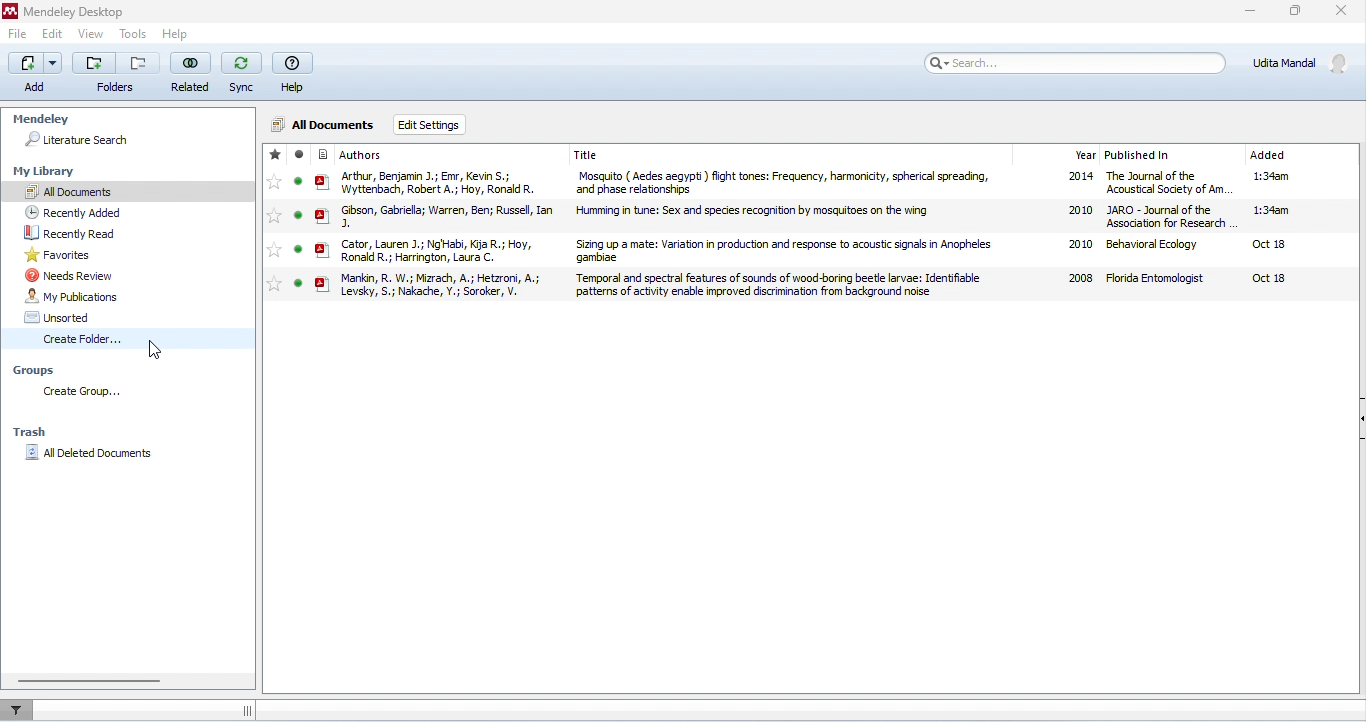  I want to click on edit settings, so click(429, 123).